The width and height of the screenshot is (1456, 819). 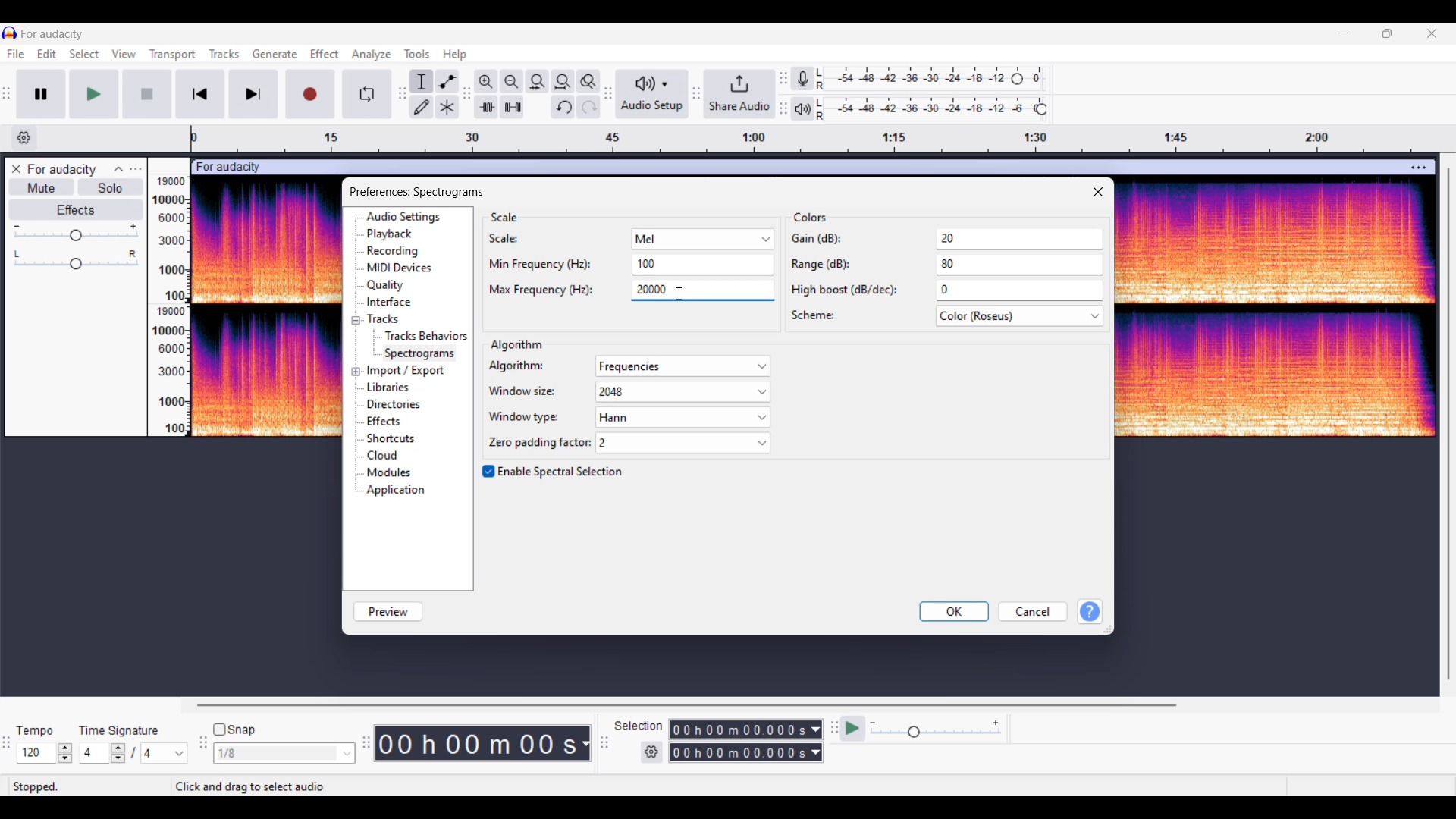 What do you see at coordinates (639, 726) in the screenshot?
I see `Indicates selection duration` at bounding box center [639, 726].